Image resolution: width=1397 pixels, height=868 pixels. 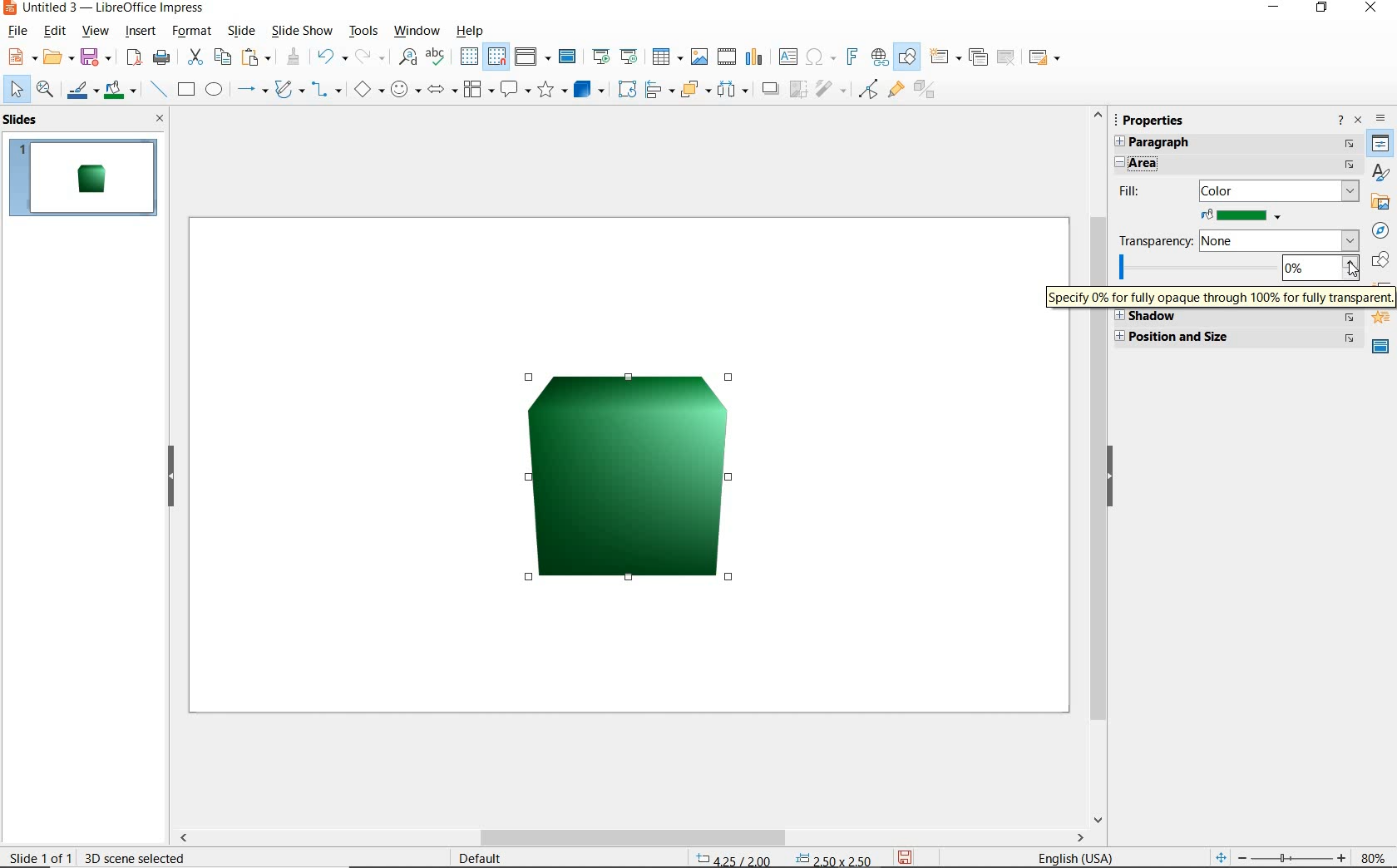 I want to click on table, so click(x=666, y=55).